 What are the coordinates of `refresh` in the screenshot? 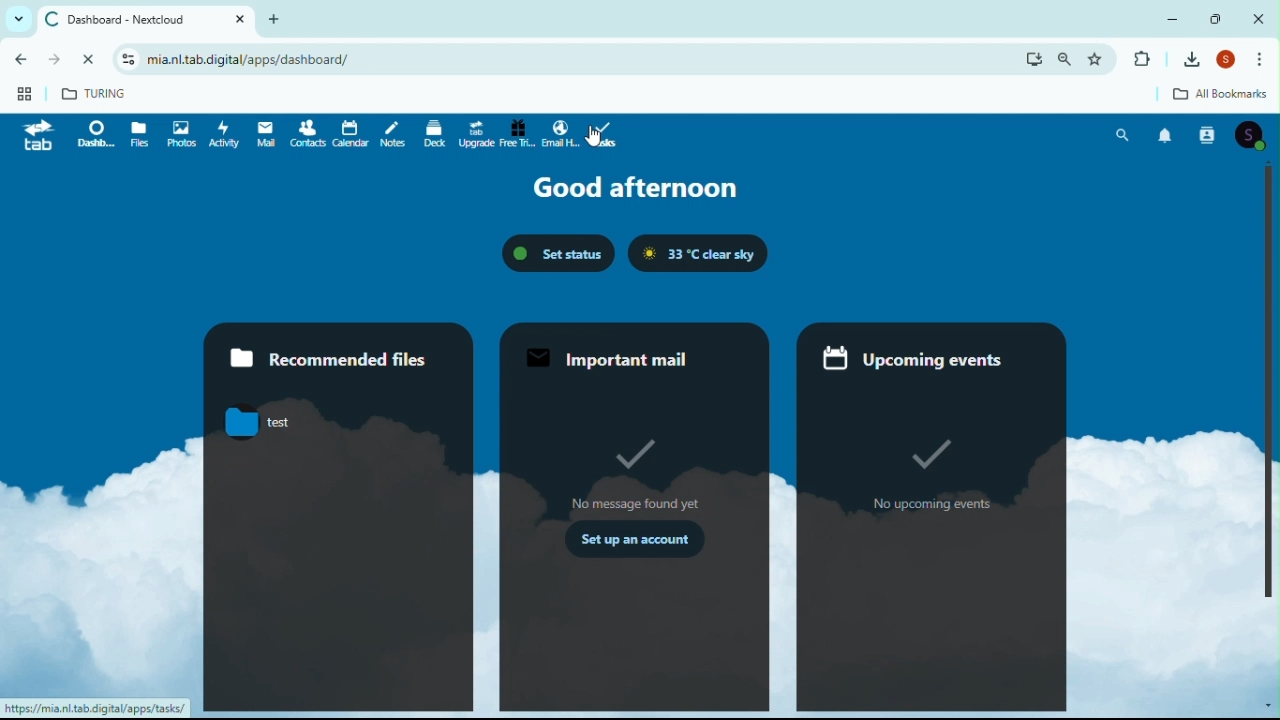 It's located at (91, 58).